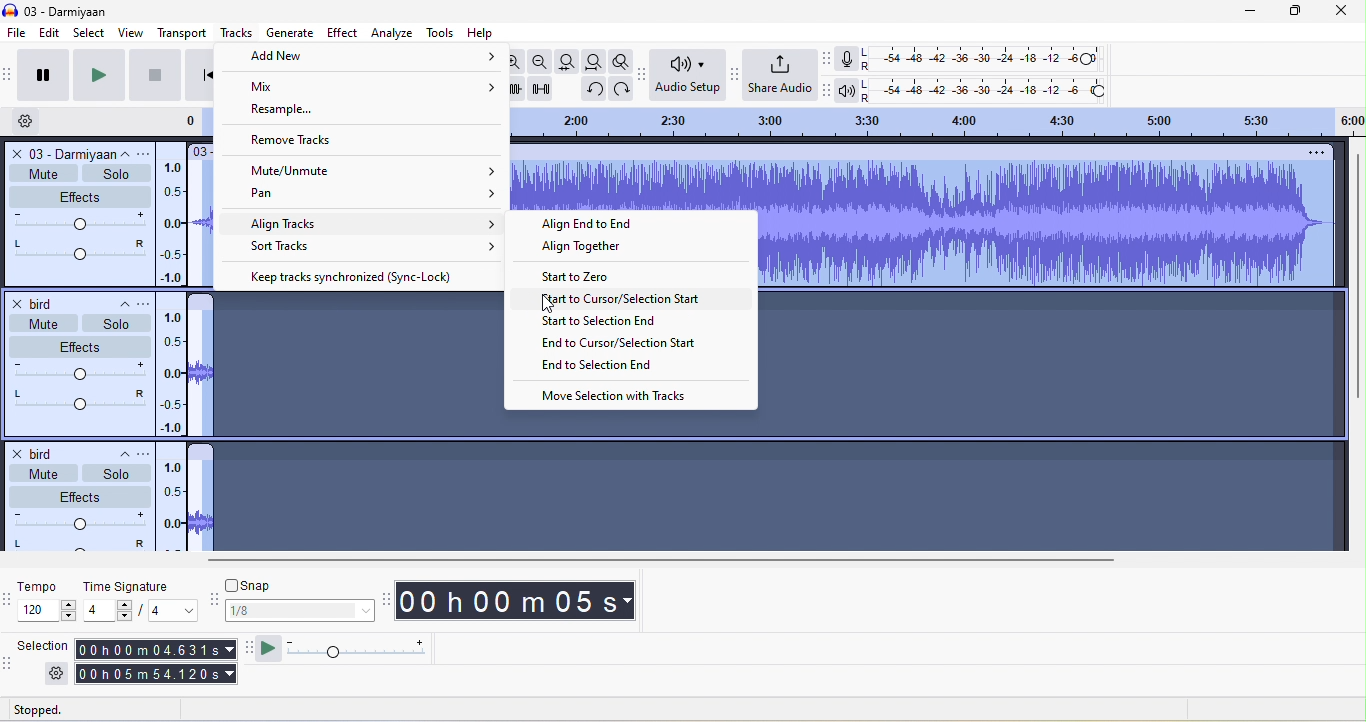  I want to click on effect, so click(341, 34).